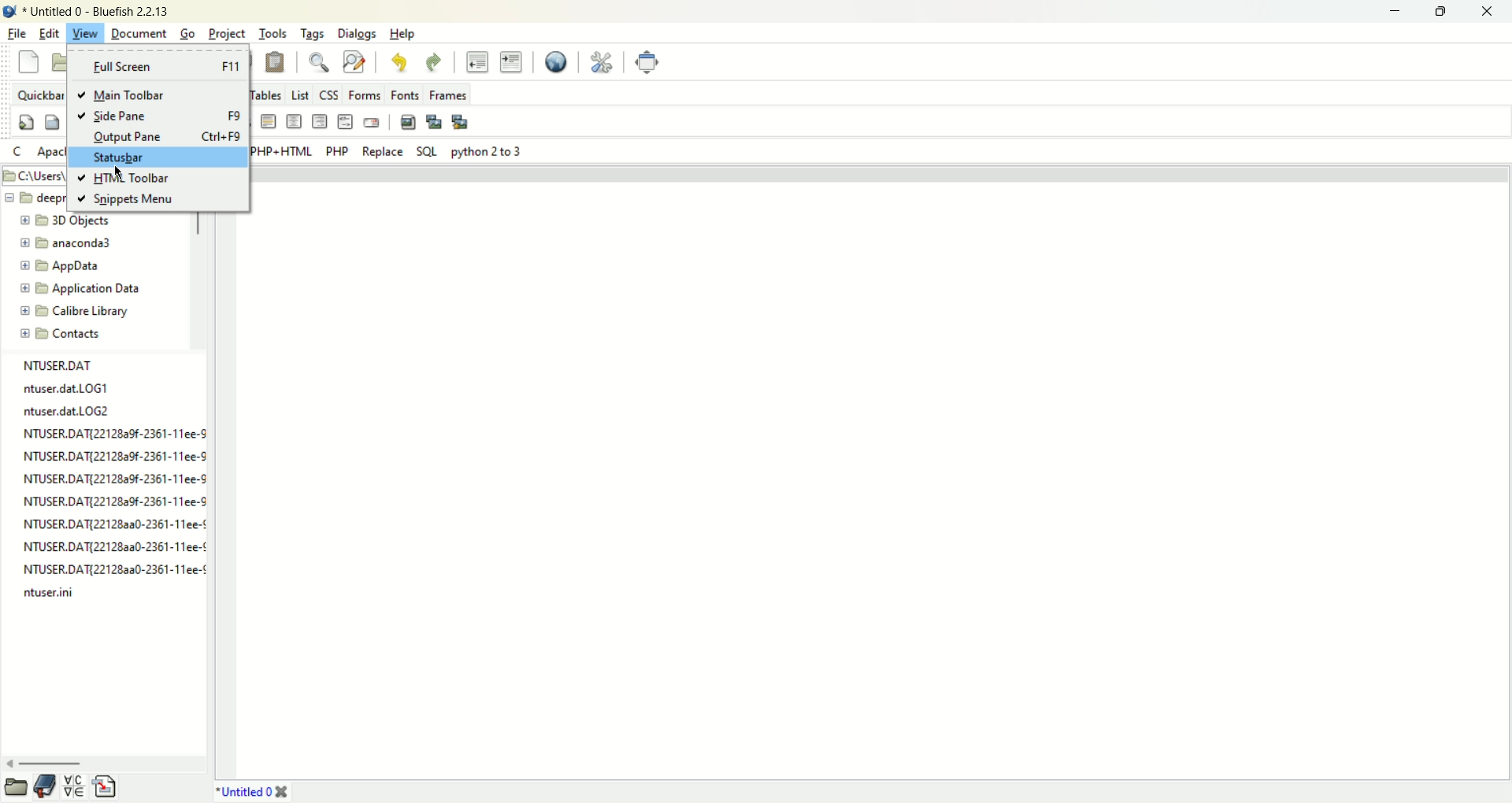  I want to click on multi thumbnail, so click(460, 122).